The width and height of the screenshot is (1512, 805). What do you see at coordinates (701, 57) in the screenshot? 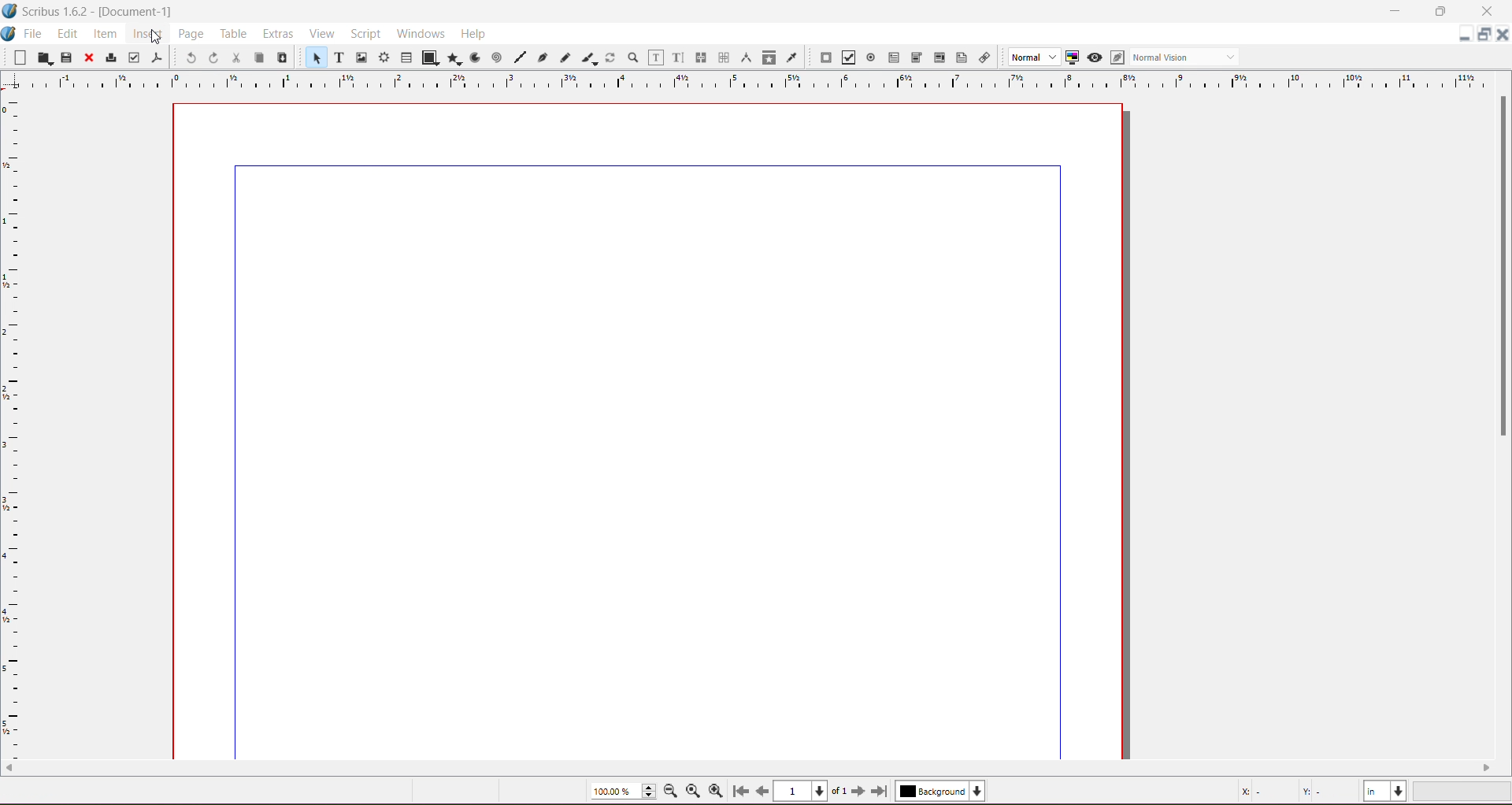
I see `Link Text Frames` at bounding box center [701, 57].